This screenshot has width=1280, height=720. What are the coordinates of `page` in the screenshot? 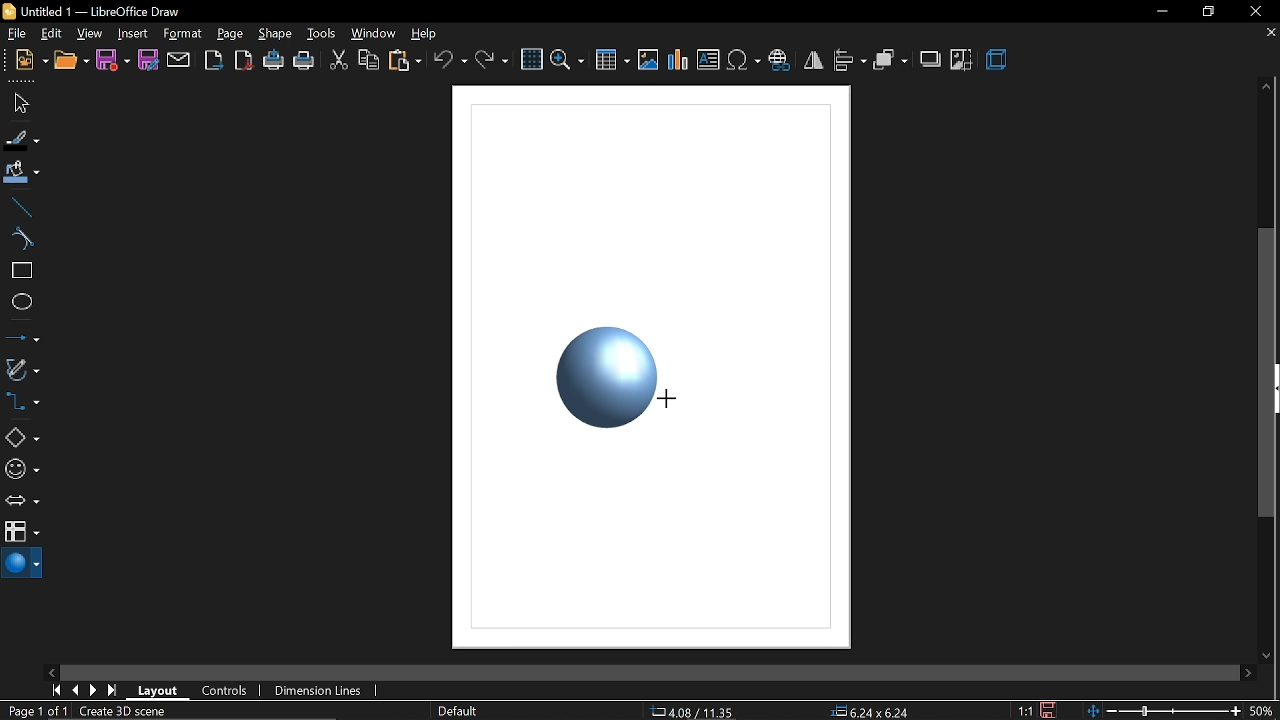 It's located at (228, 34).